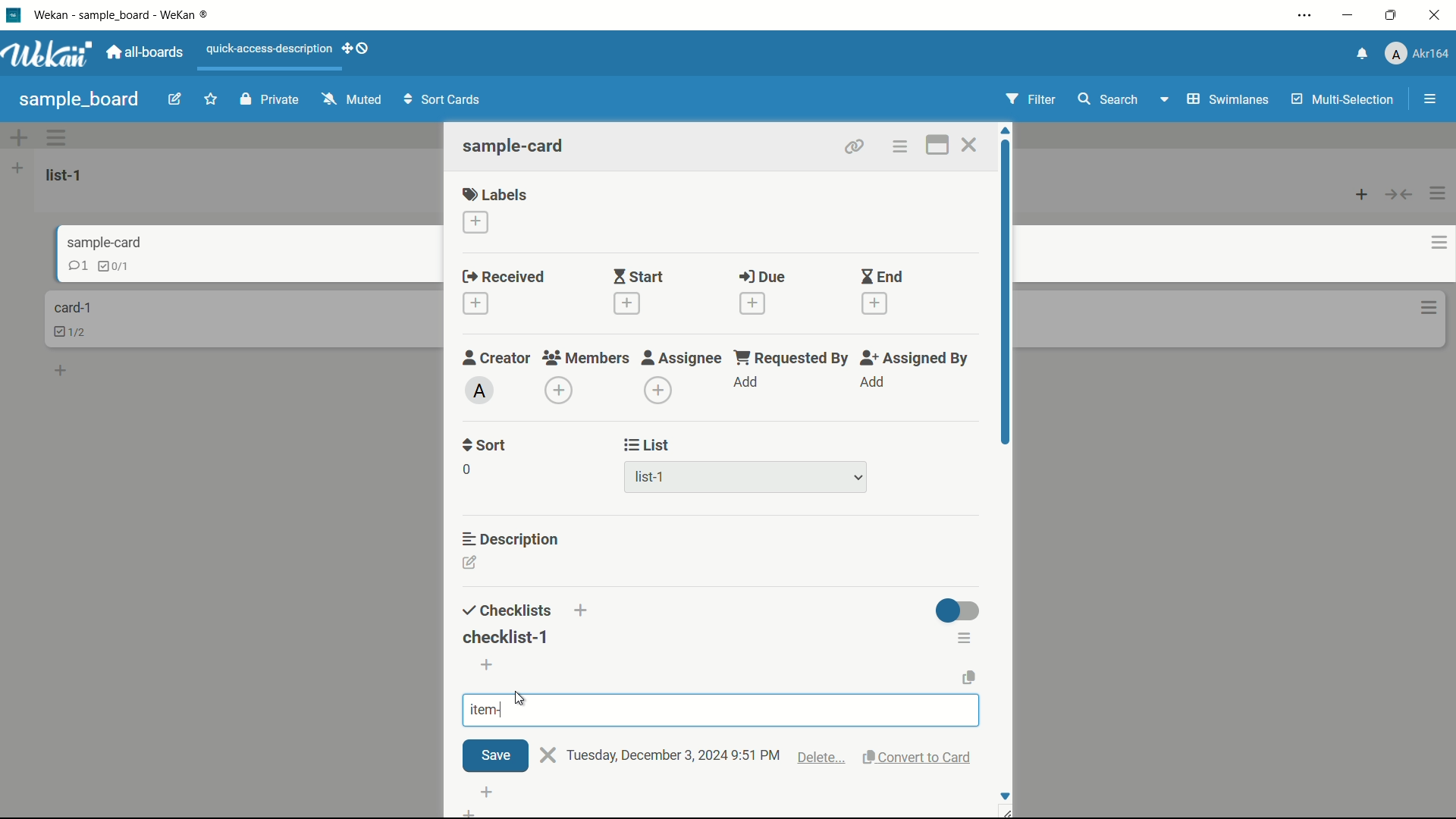  What do you see at coordinates (917, 358) in the screenshot?
I see `assigned by` at bounding box center [917, 358].